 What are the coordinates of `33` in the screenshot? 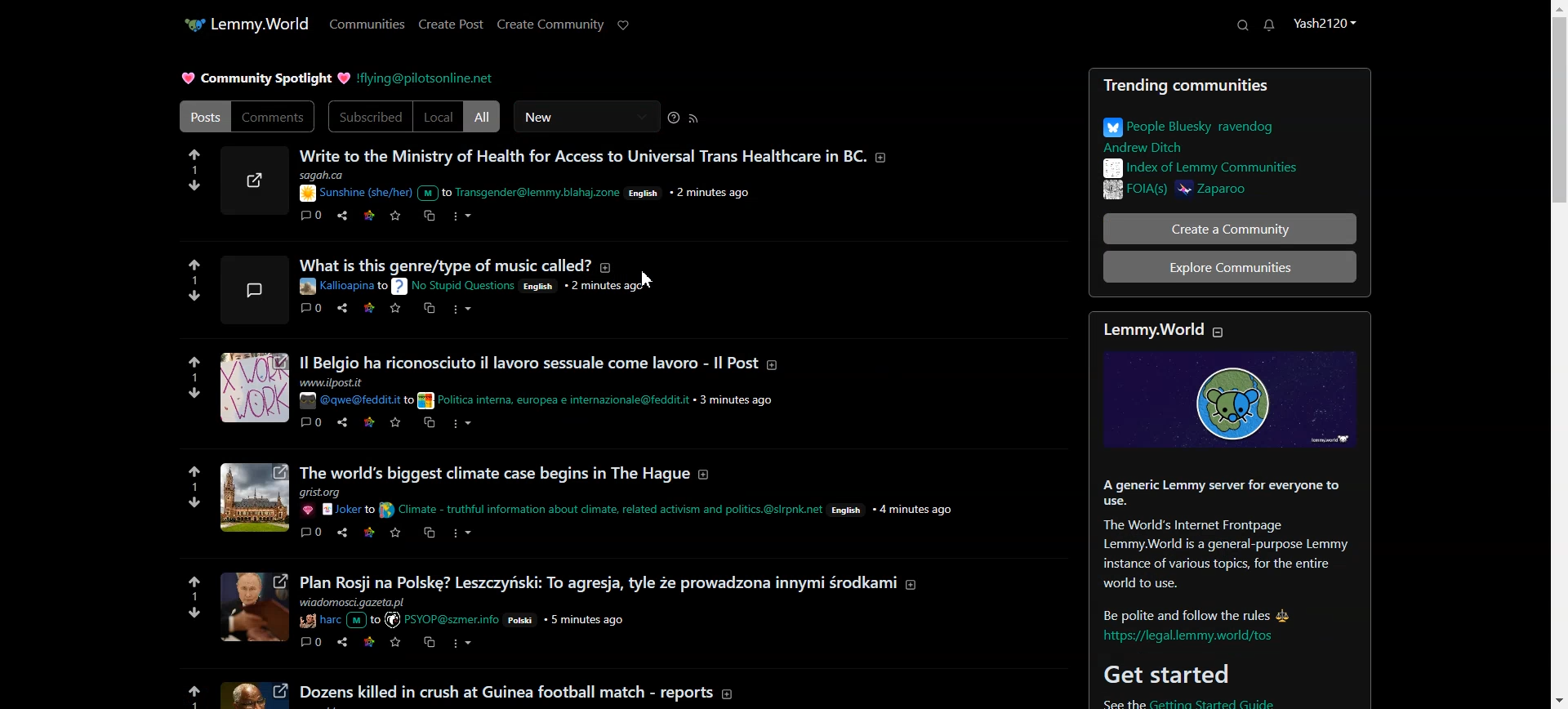 It's located at (198, 377).